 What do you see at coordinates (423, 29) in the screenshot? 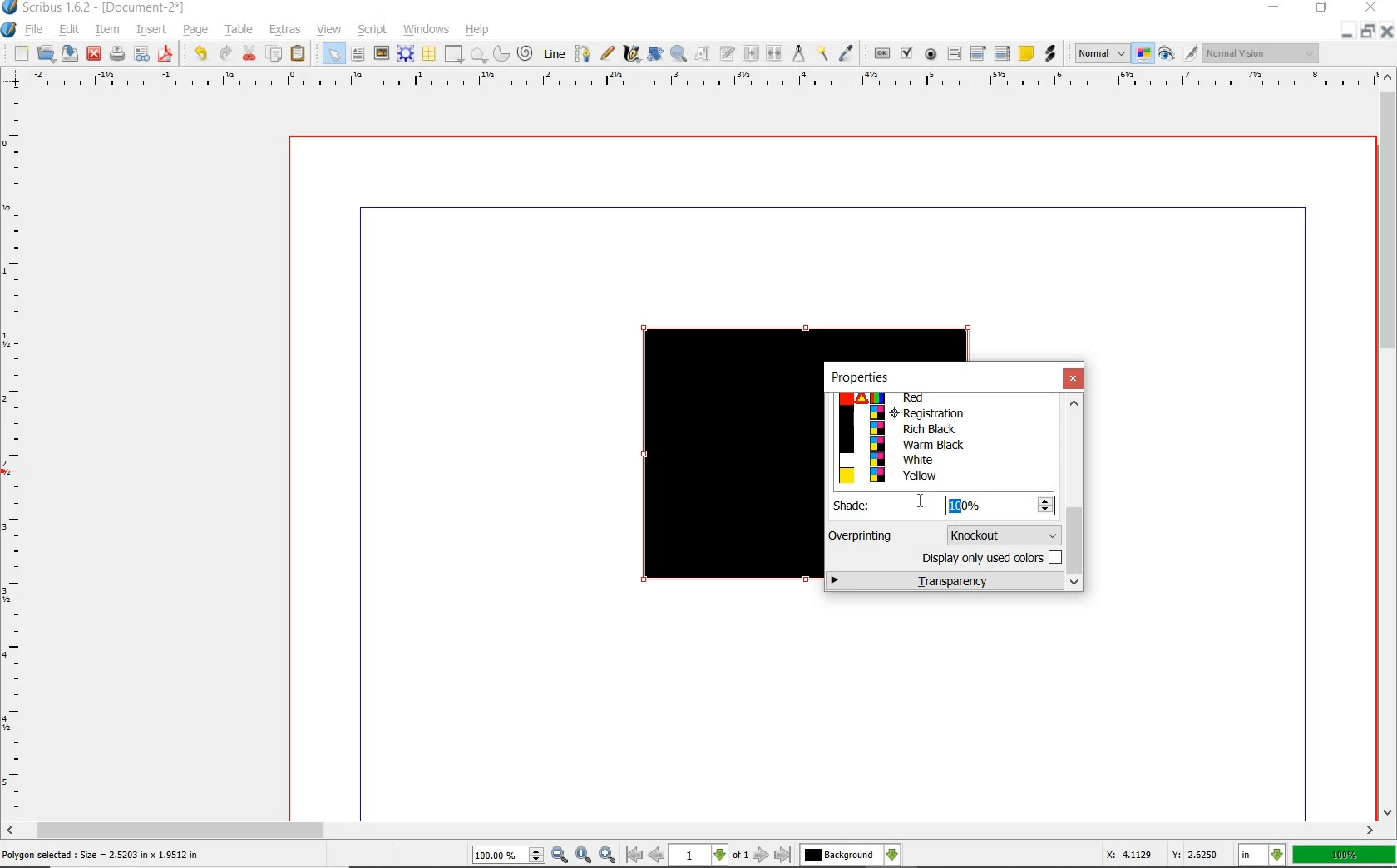
I see `windows` at bounding box center [423, 29].